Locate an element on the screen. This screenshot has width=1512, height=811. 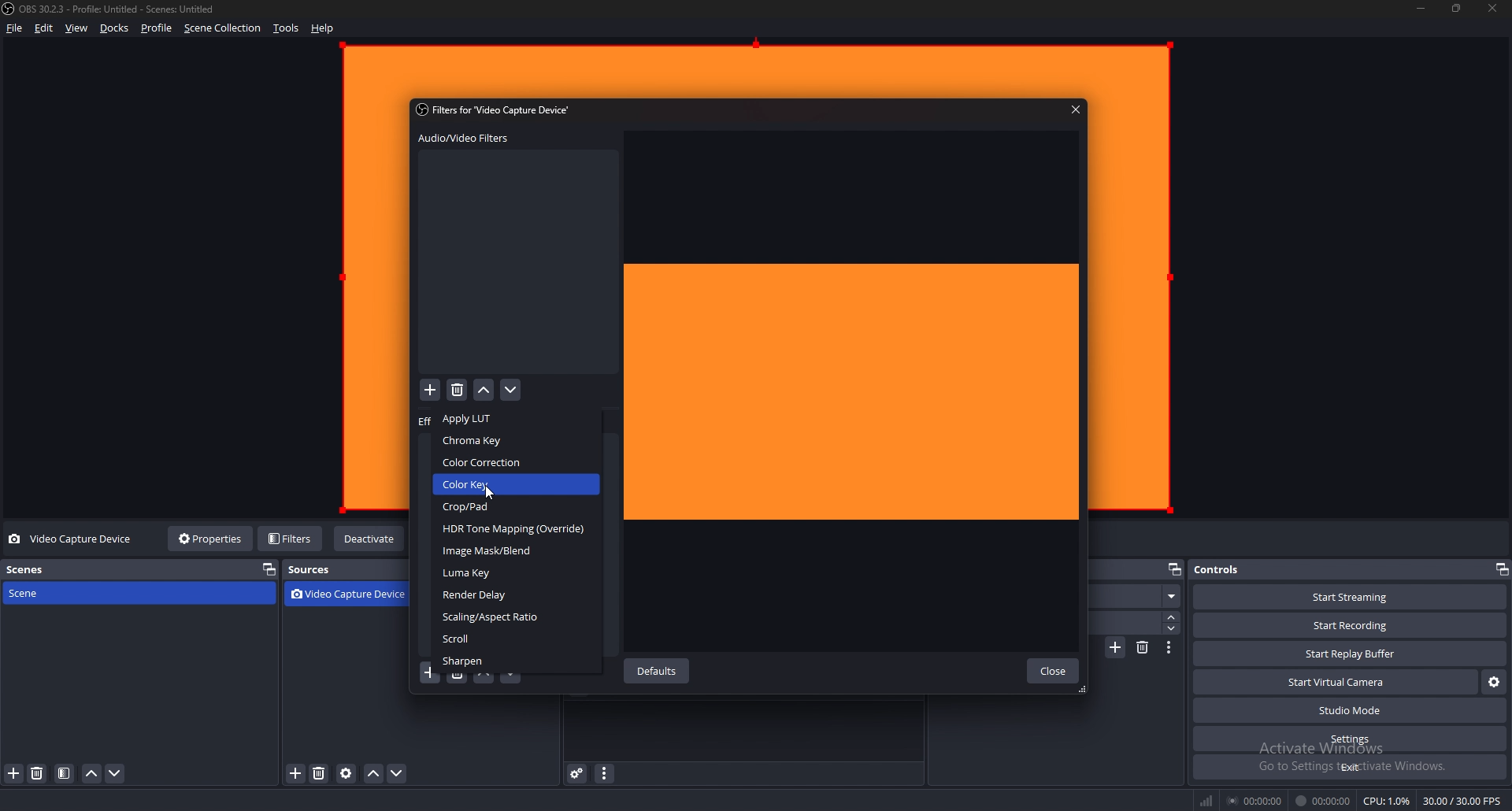
close is located at coordinates (1052, 671).